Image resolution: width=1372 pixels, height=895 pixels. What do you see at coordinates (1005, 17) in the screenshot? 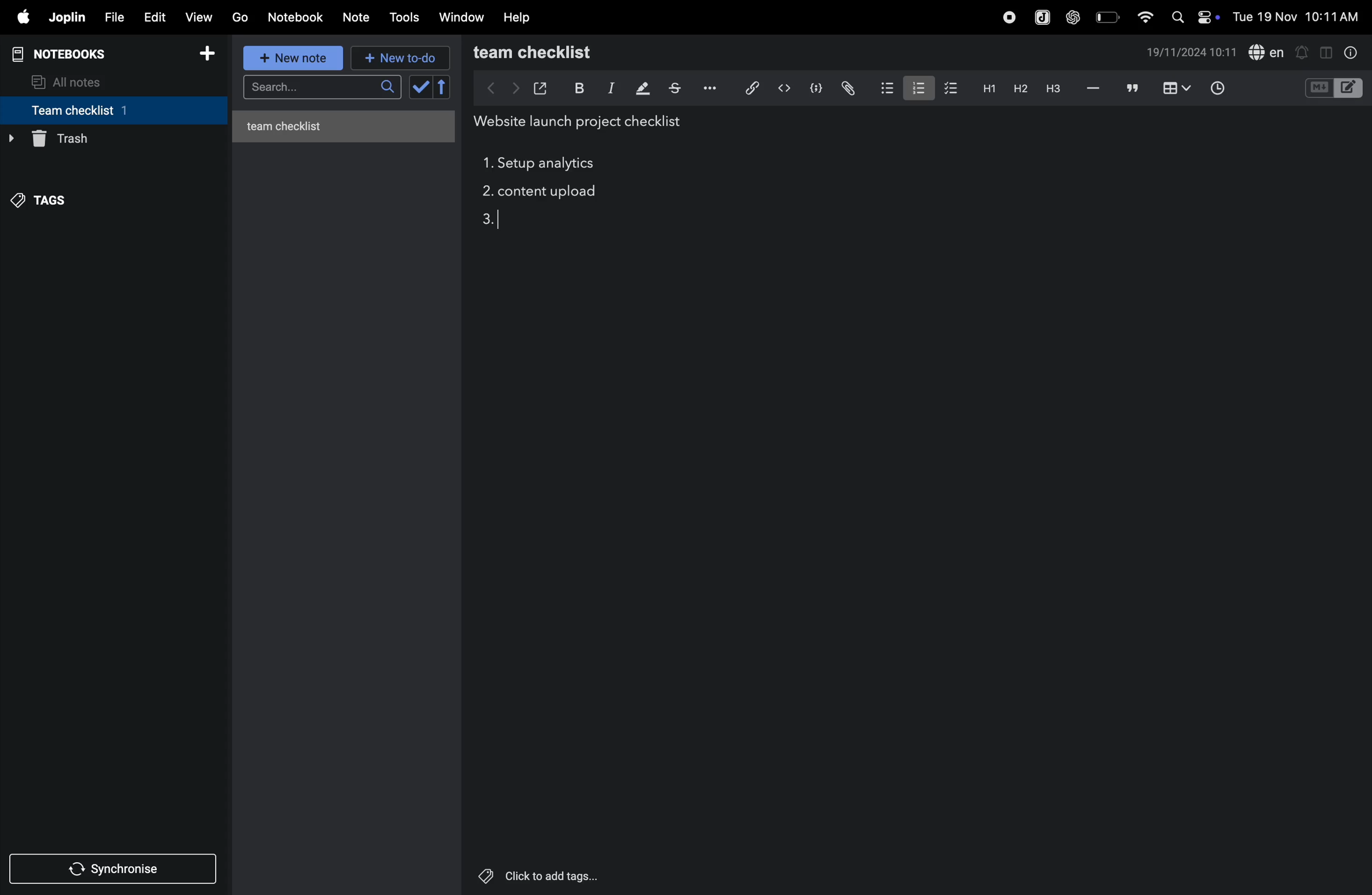
I see `record` at bounding box center [1005, 17].